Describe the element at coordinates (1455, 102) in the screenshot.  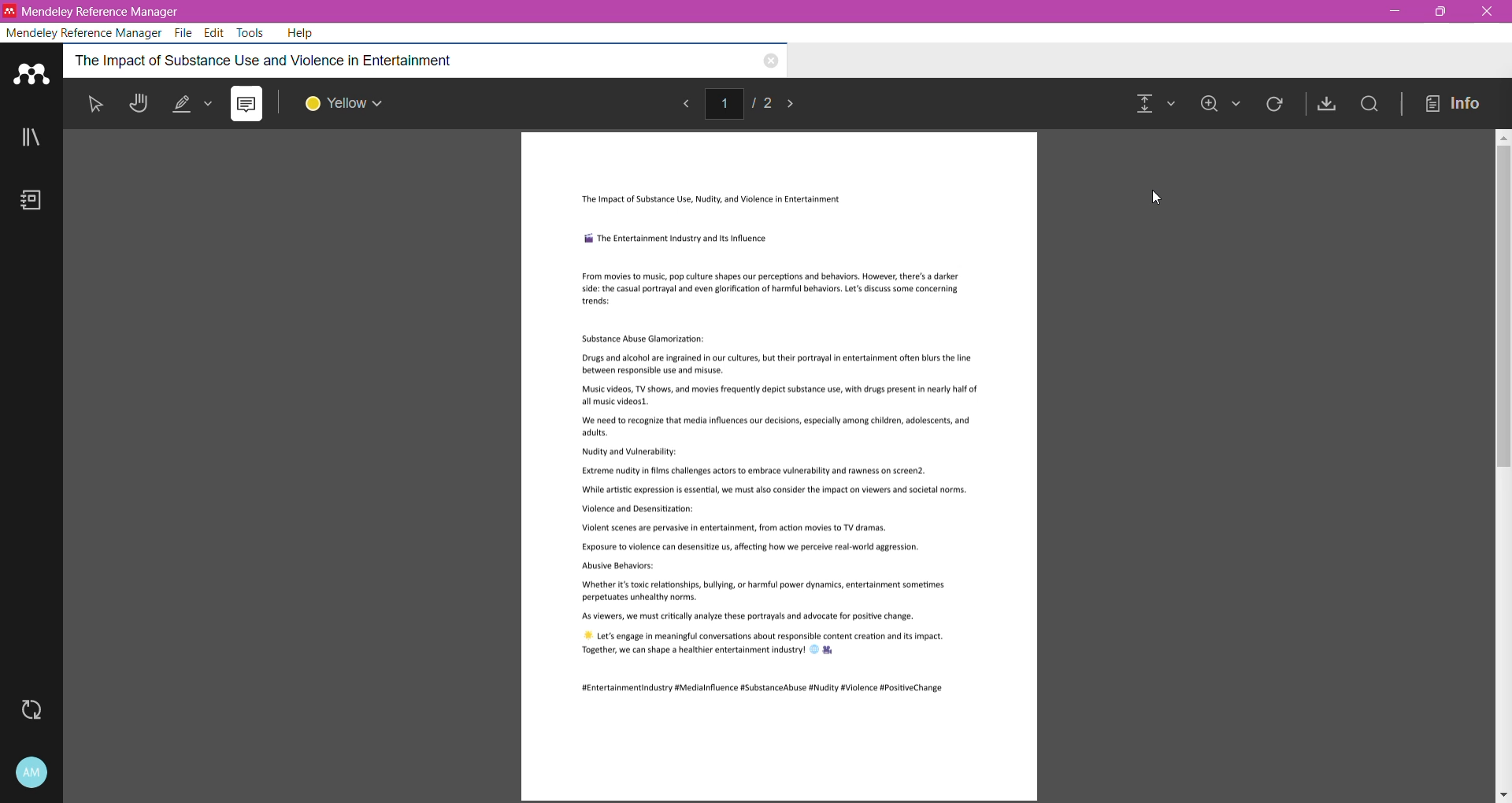
I see `info` at that location.